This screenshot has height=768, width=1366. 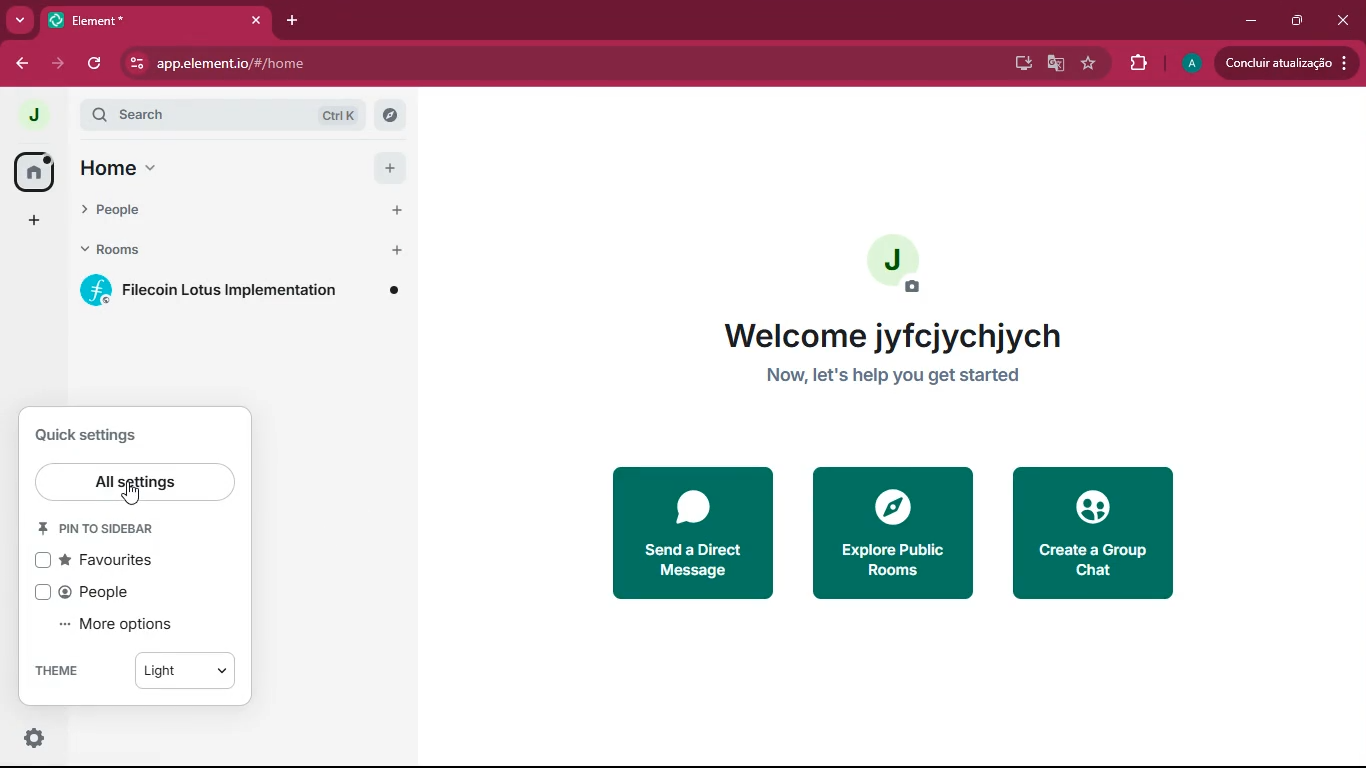 What do you see at coordinates (1189, 62) in the screenshot?
I see `profile` at bounding box center [1189, 62].